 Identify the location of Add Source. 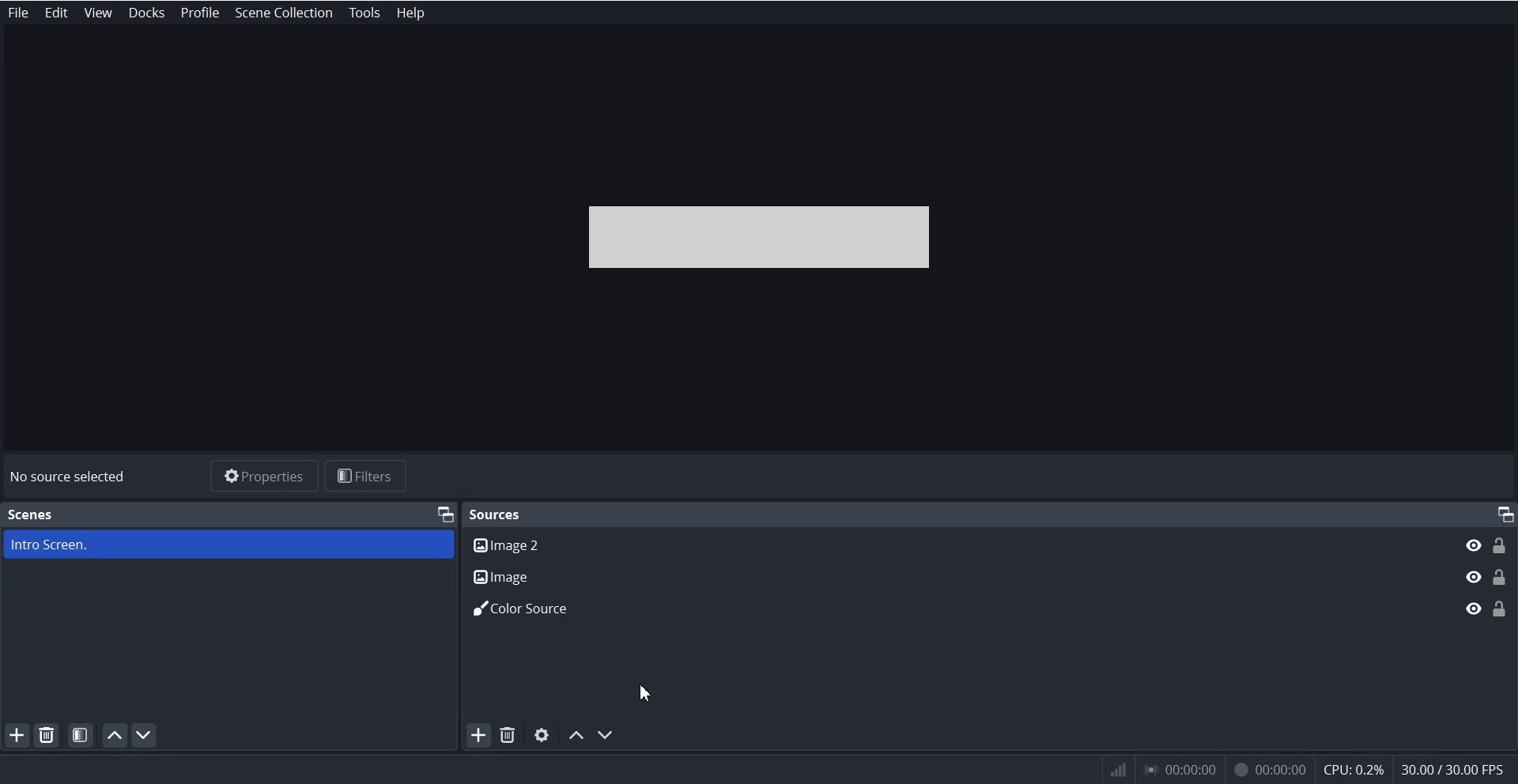
(476, 735).